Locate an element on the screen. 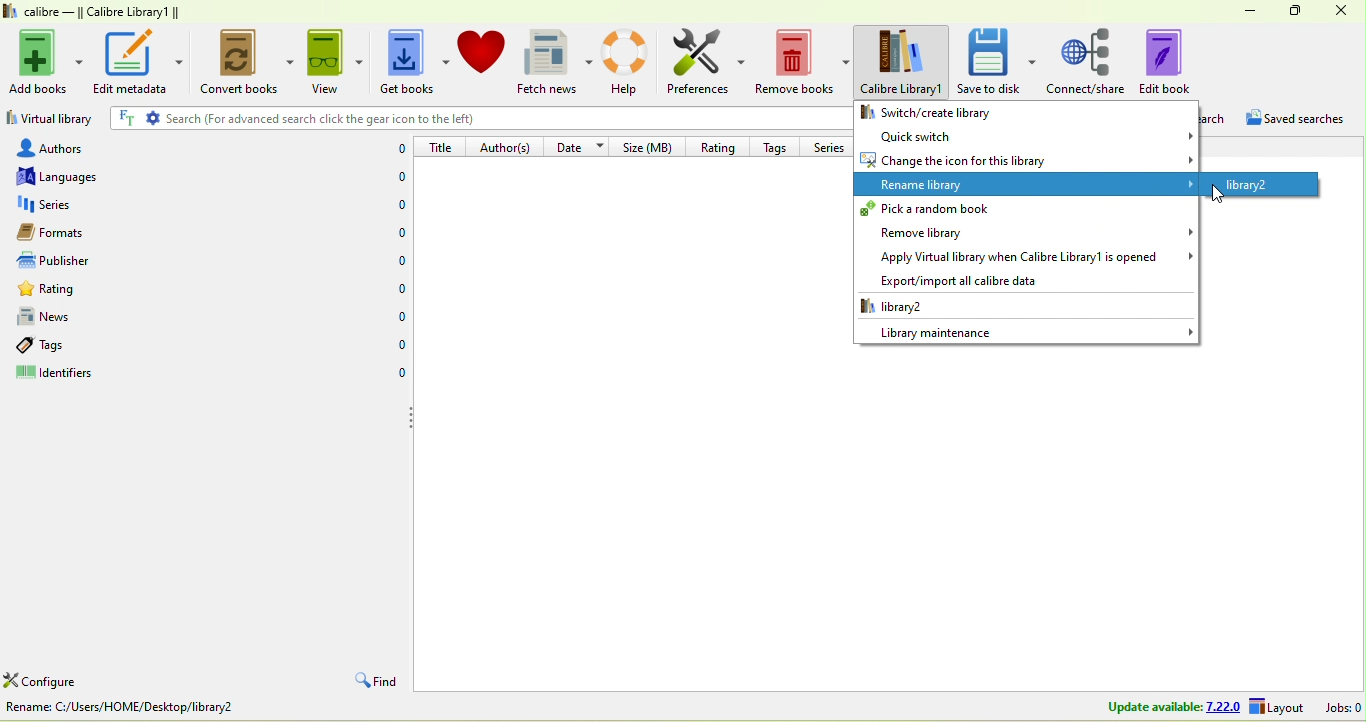  view is located at coordinates (333, 61).